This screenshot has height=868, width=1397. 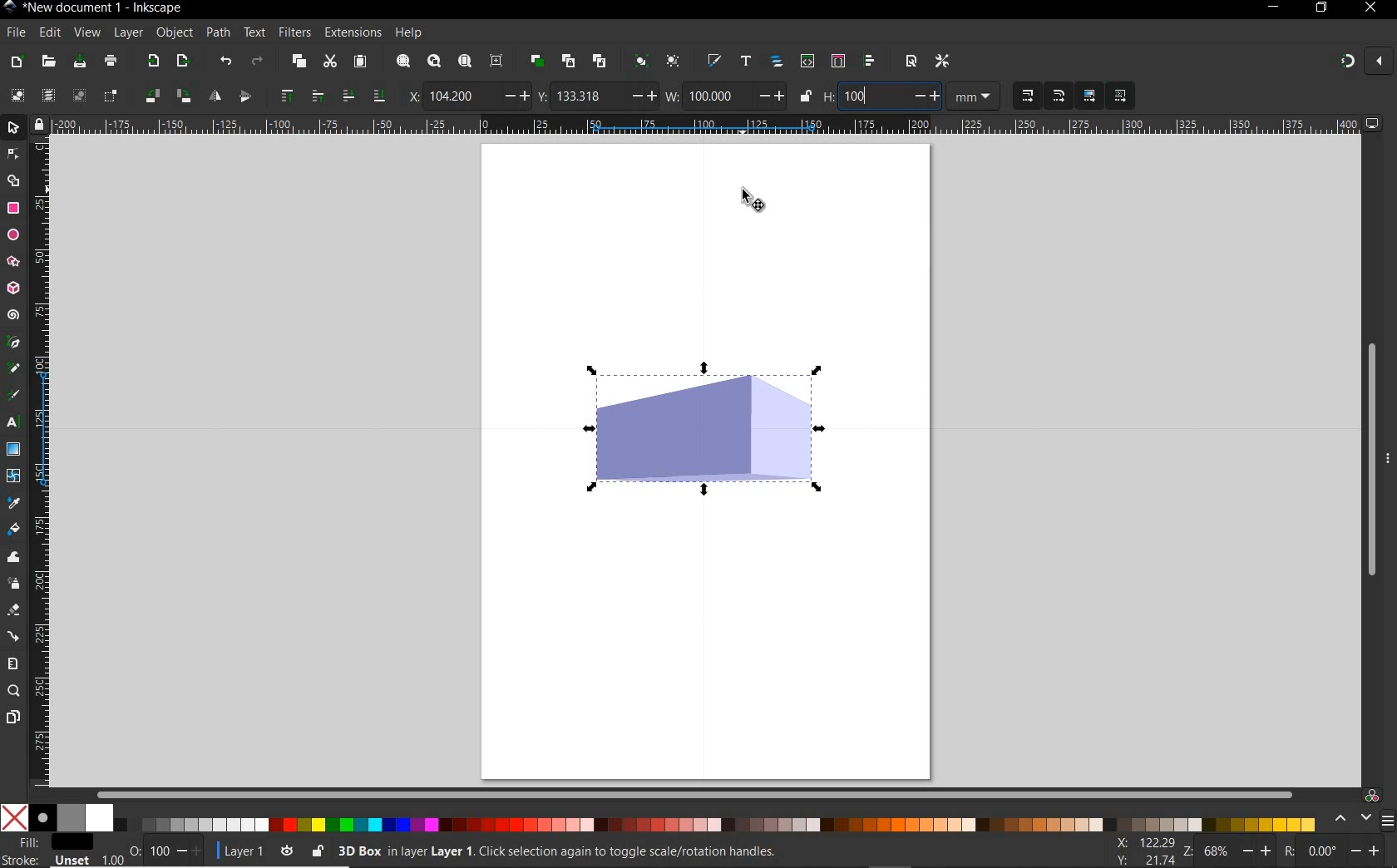 What do you see at coordinates (360, 62) in the screenshot?
I see `paste` at bounding box center [360, 62].